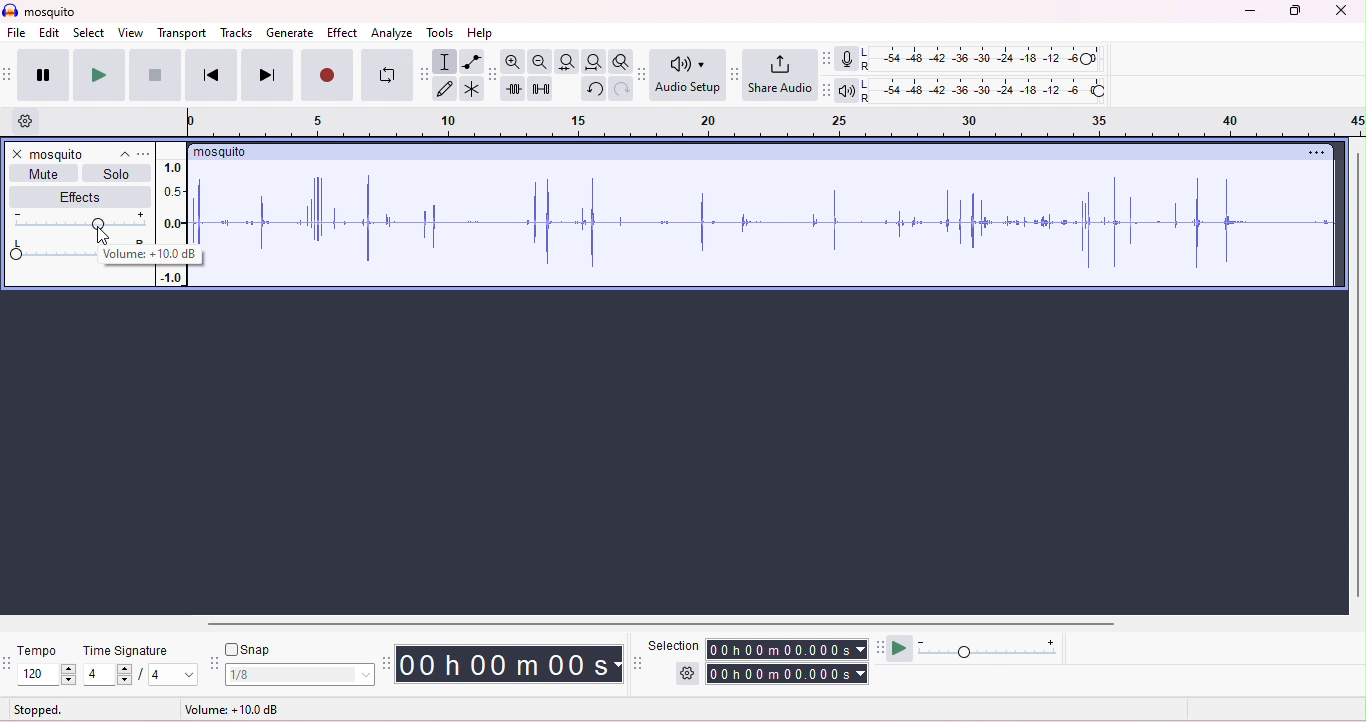 The width and height of the screenshot is (1366, 722). What do you see at coordinates (208, 75) in the screenshot?
I see `previous` at bounding box center [208, 75].